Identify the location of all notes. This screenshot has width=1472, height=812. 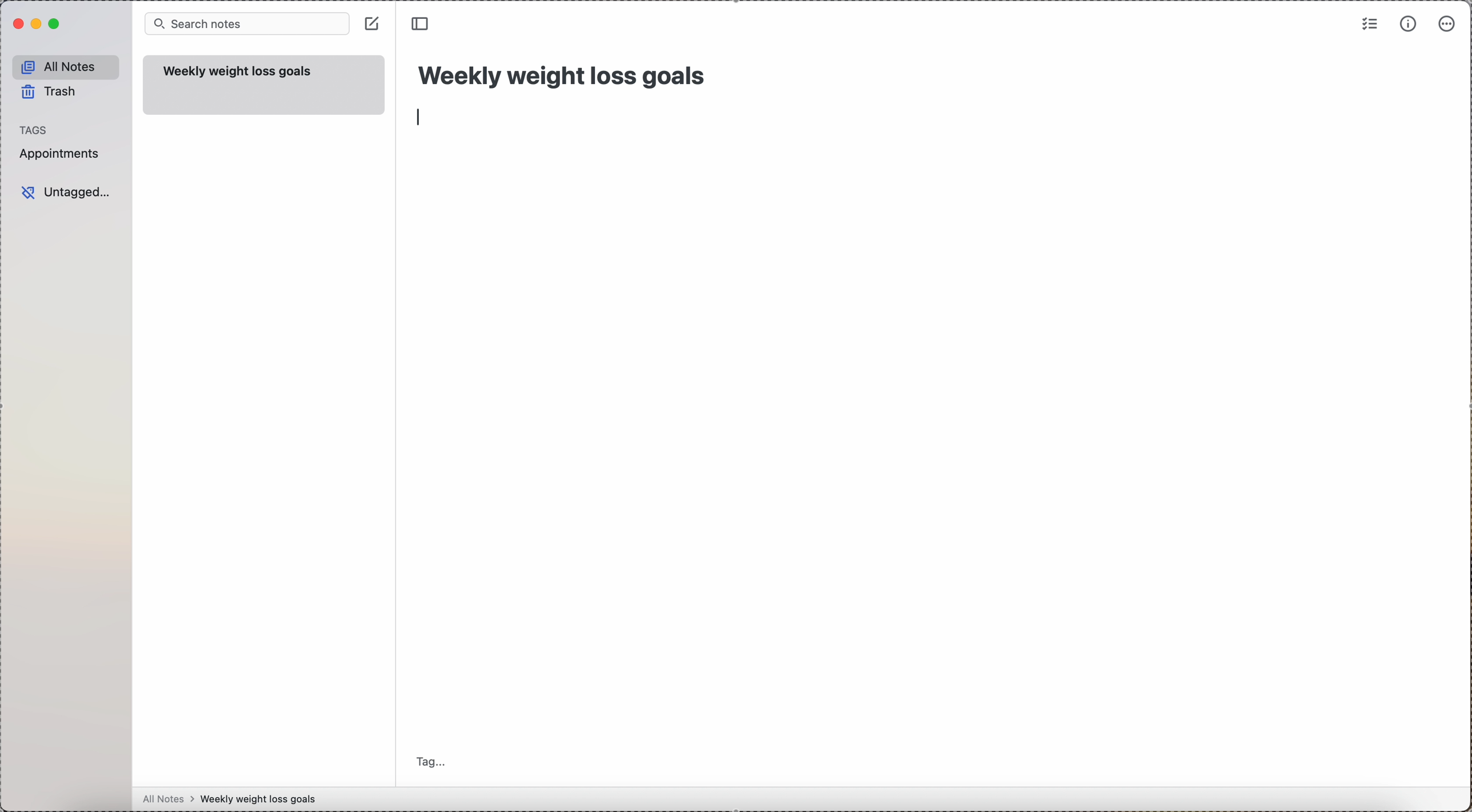
(66, 66).